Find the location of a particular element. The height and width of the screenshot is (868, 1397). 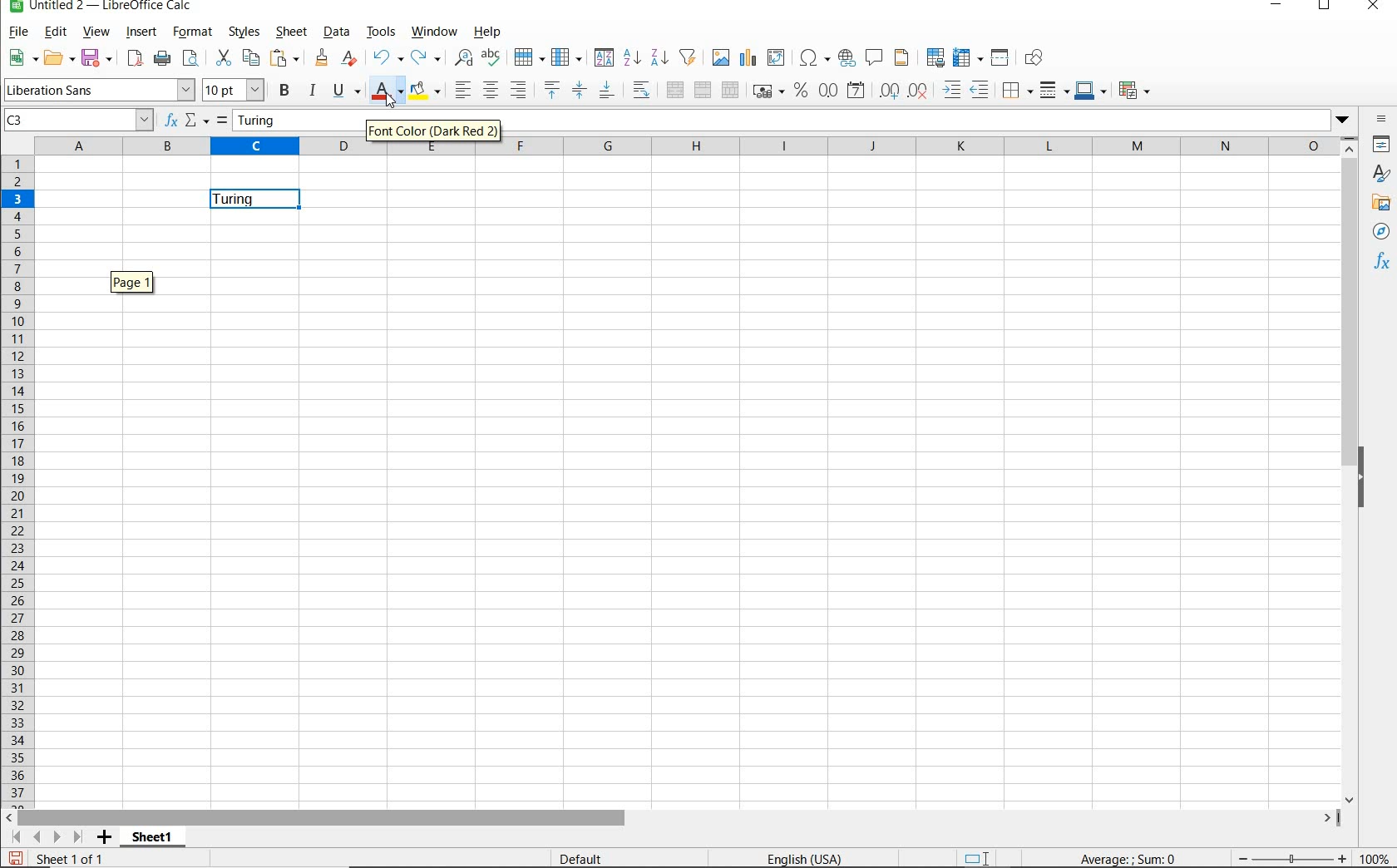

INSERT COMMENT is located at coordinates (876, 56).